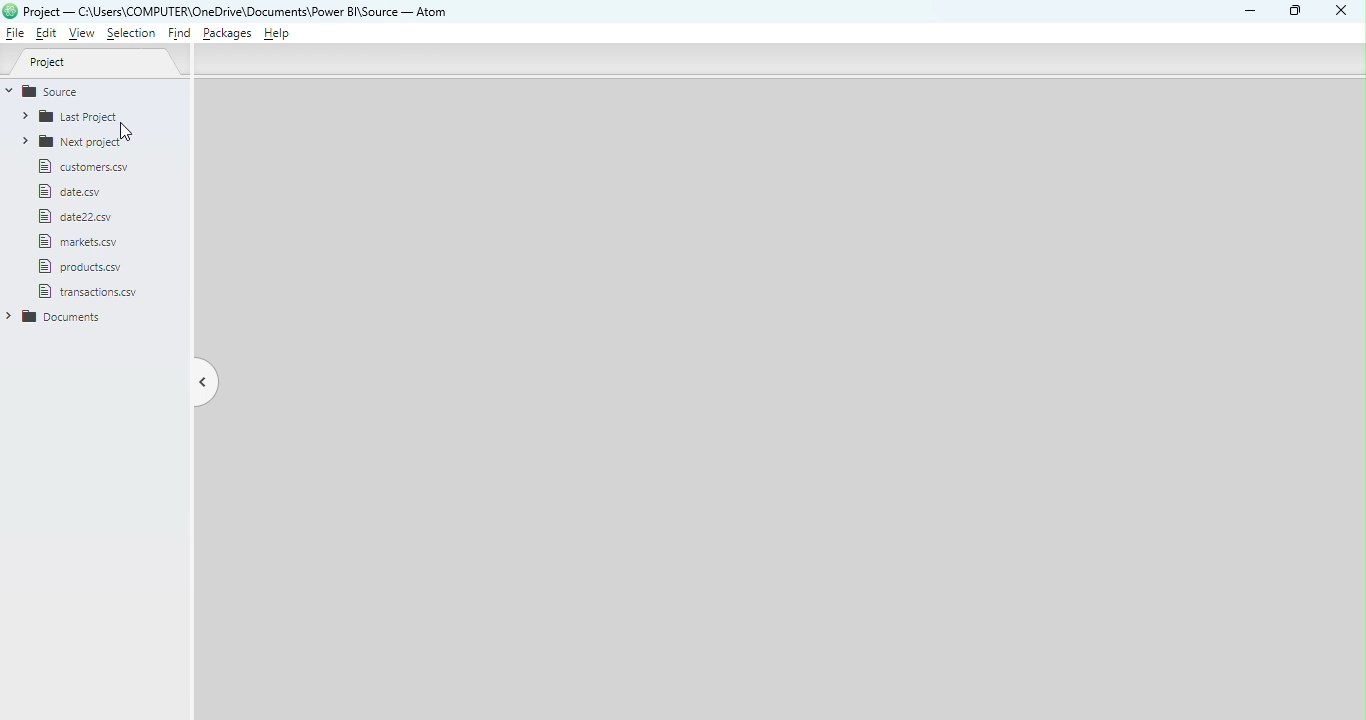  Describe the element at coordinates (229, 33) in the screenshot. I see `Packages` at that location.